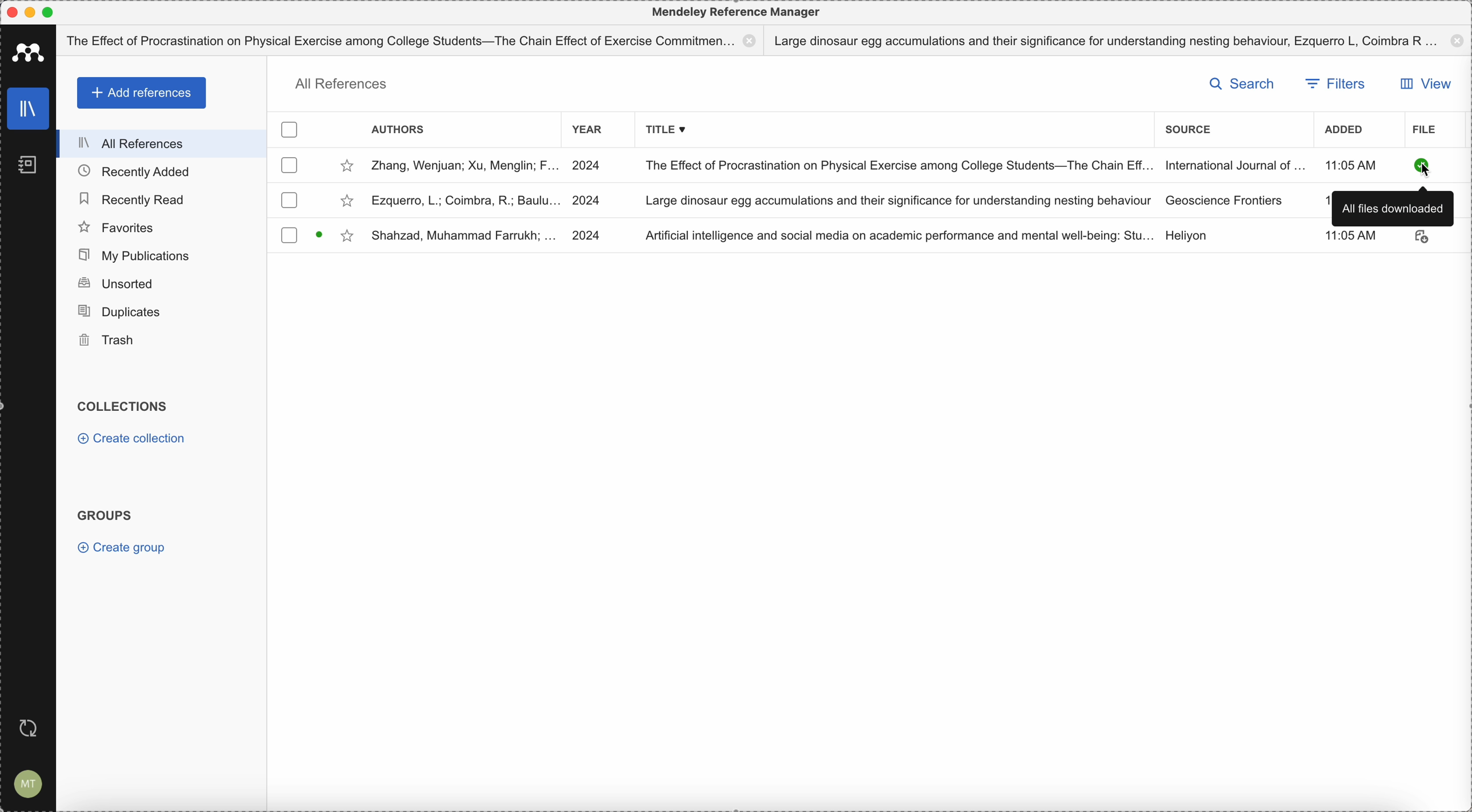 The height and width of the screenshot is (812, 1472). Describe the element at coordinates (339, 85) in the screenshot. I see `all references` at that location.